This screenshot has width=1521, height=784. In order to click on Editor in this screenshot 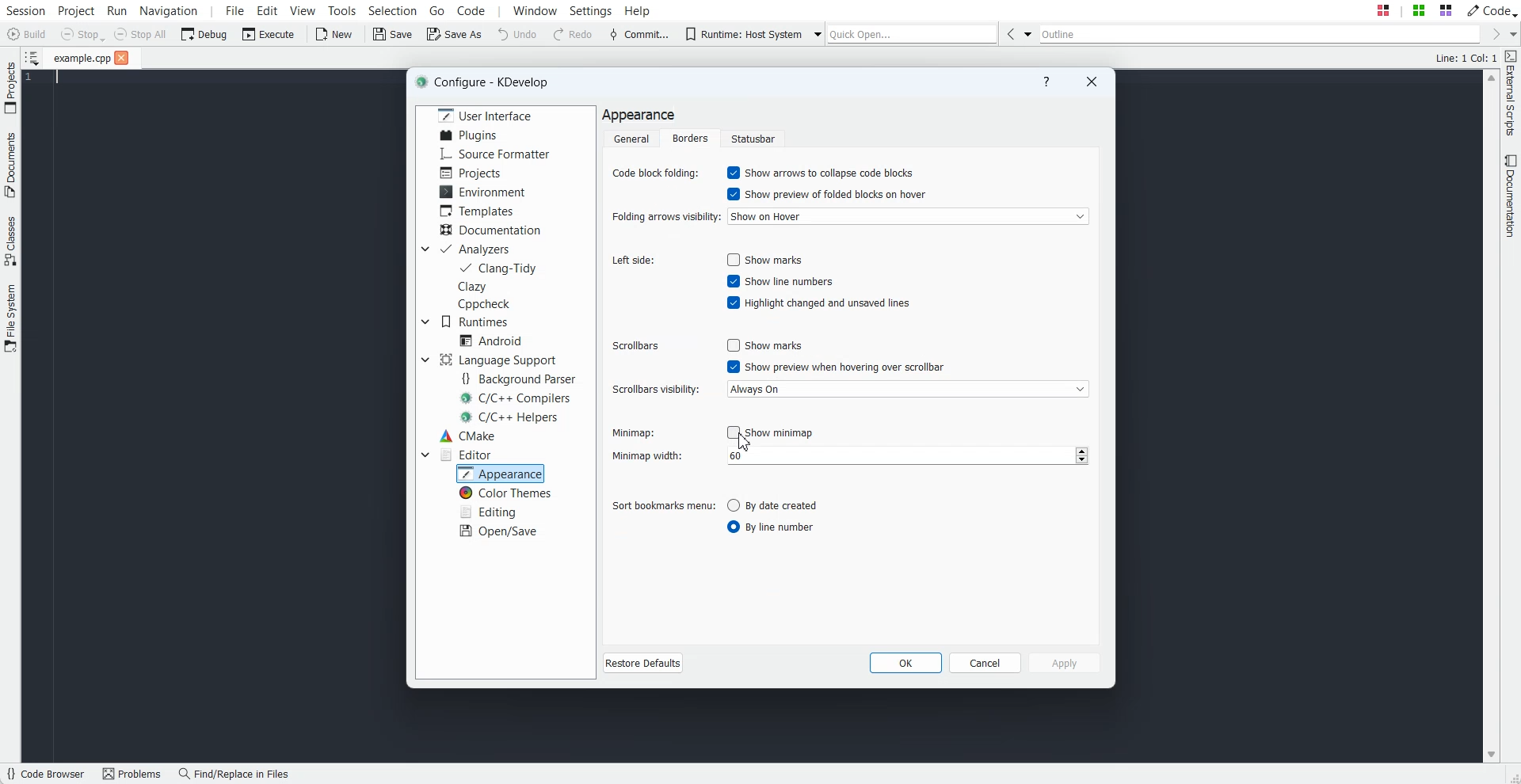, I will do `click(467, 454)`.